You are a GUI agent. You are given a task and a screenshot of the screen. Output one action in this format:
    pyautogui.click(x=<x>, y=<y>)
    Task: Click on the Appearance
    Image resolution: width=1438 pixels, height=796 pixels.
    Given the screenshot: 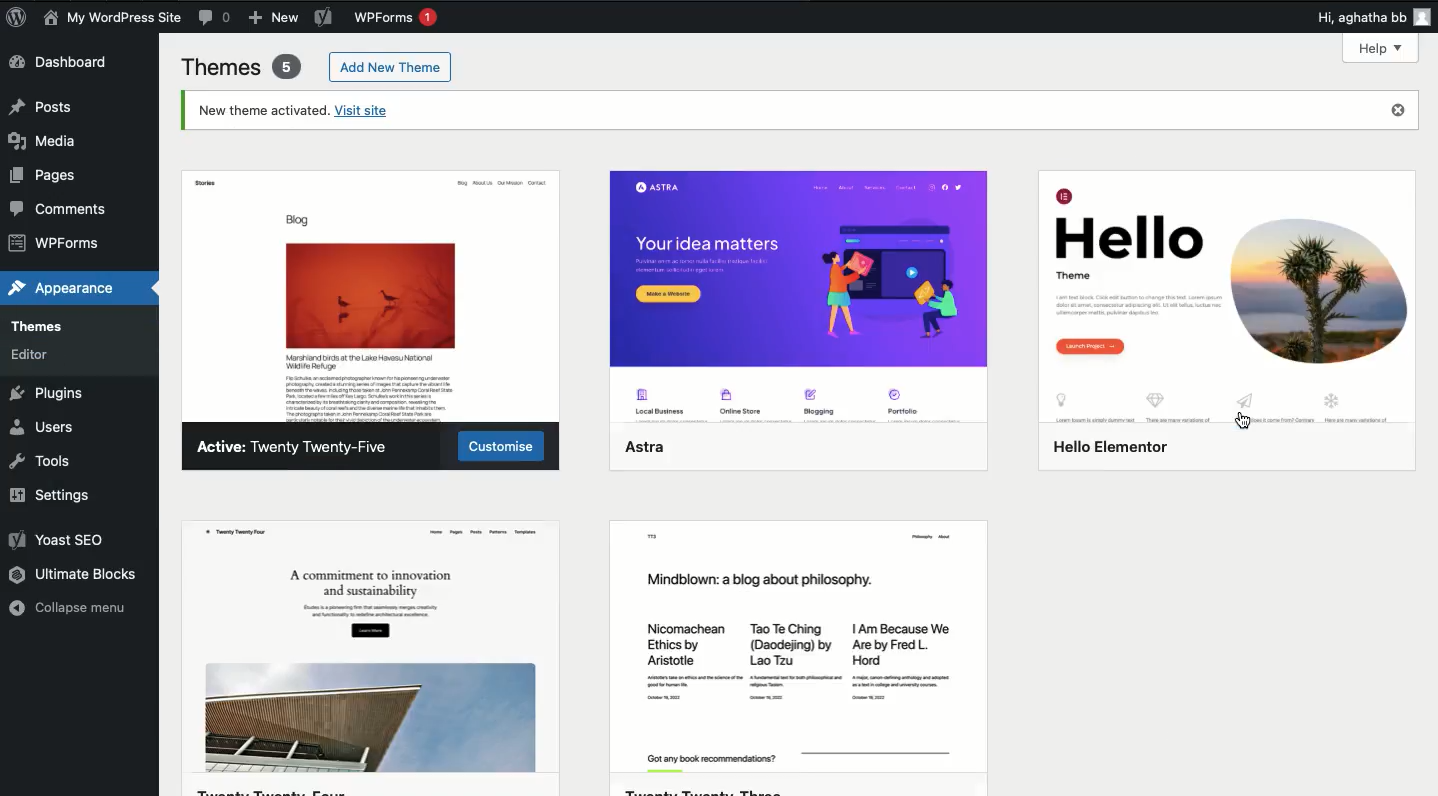 What is the action you would take?
    pyautogui.click(x=60, y=286)
    